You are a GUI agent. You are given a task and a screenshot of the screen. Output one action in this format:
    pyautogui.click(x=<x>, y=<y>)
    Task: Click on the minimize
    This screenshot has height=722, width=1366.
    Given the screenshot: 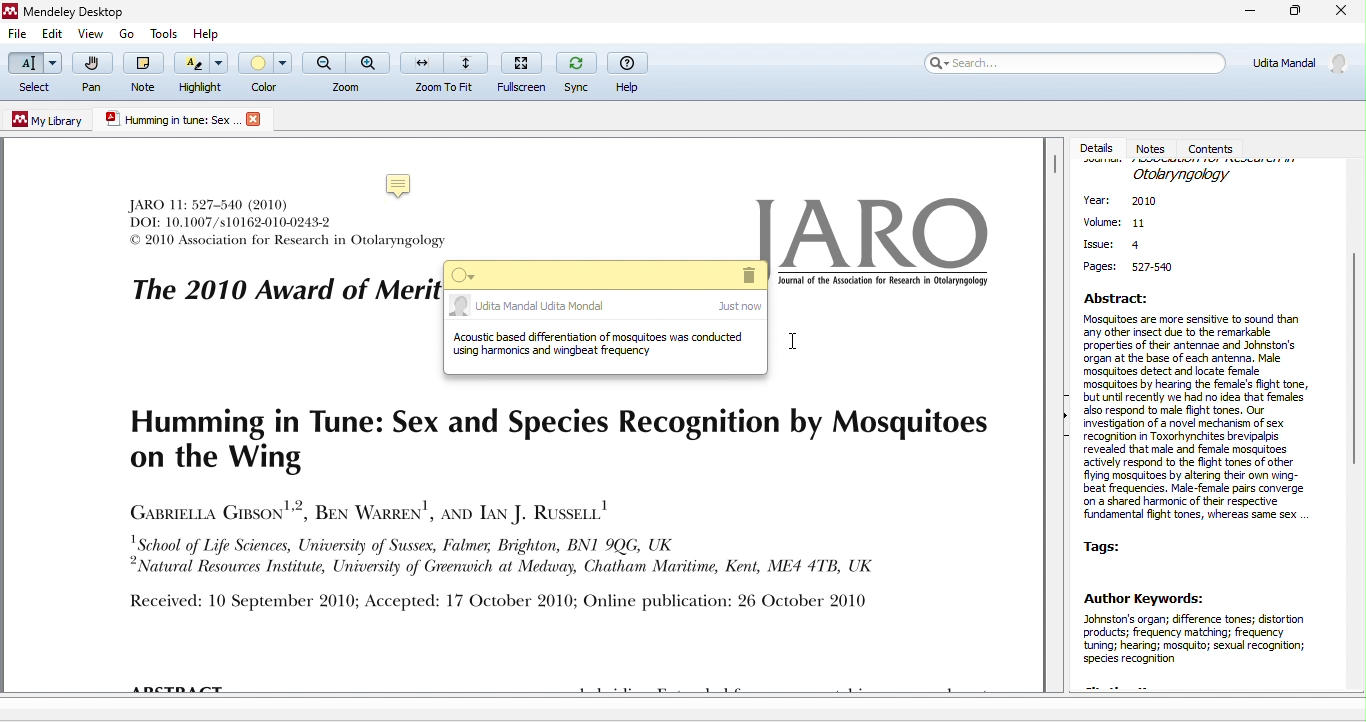 What is the action you would take?
    pyautogui.click(x=1243, y=13)
    